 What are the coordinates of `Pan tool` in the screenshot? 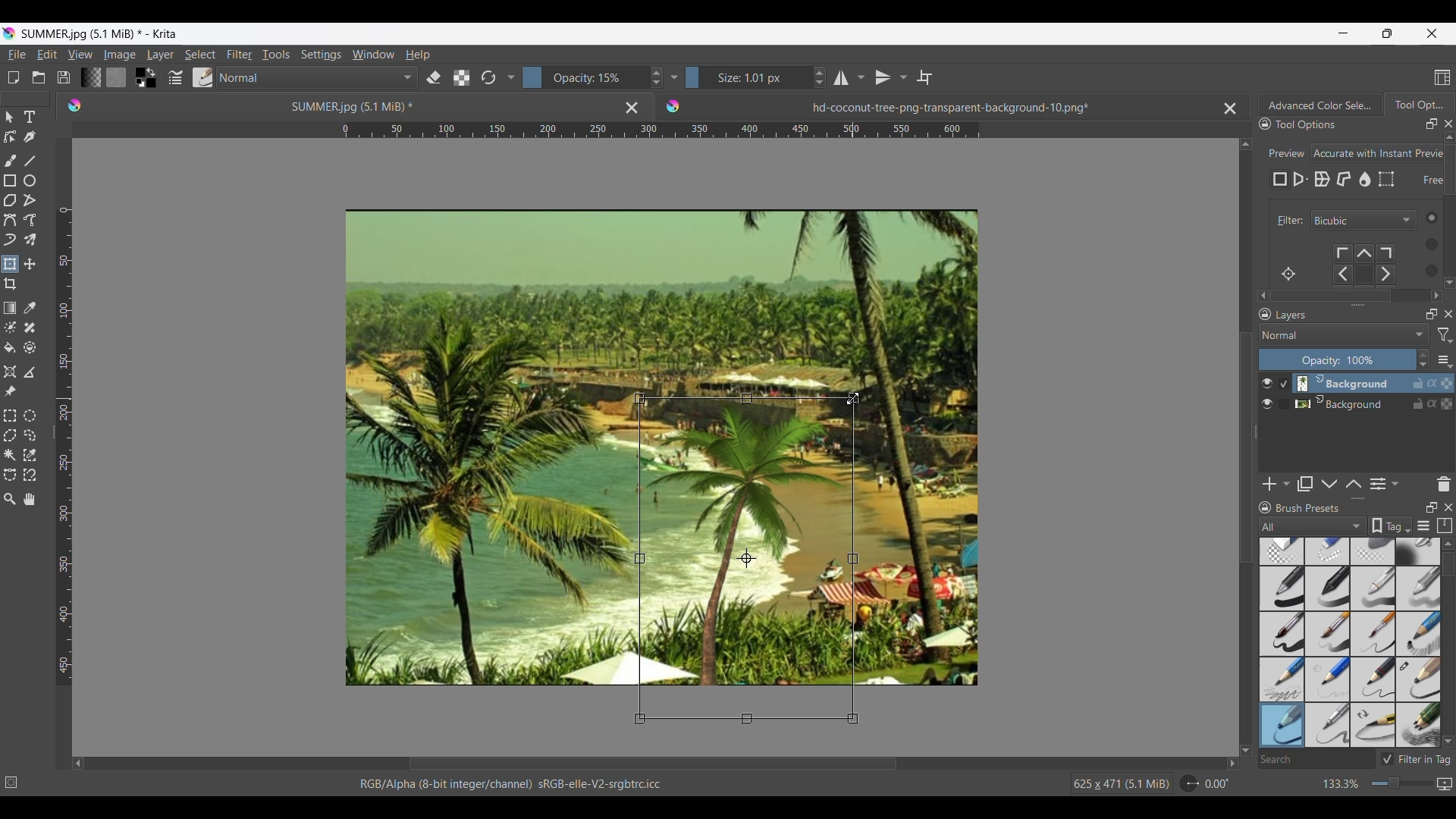 It's located at (30, 499).